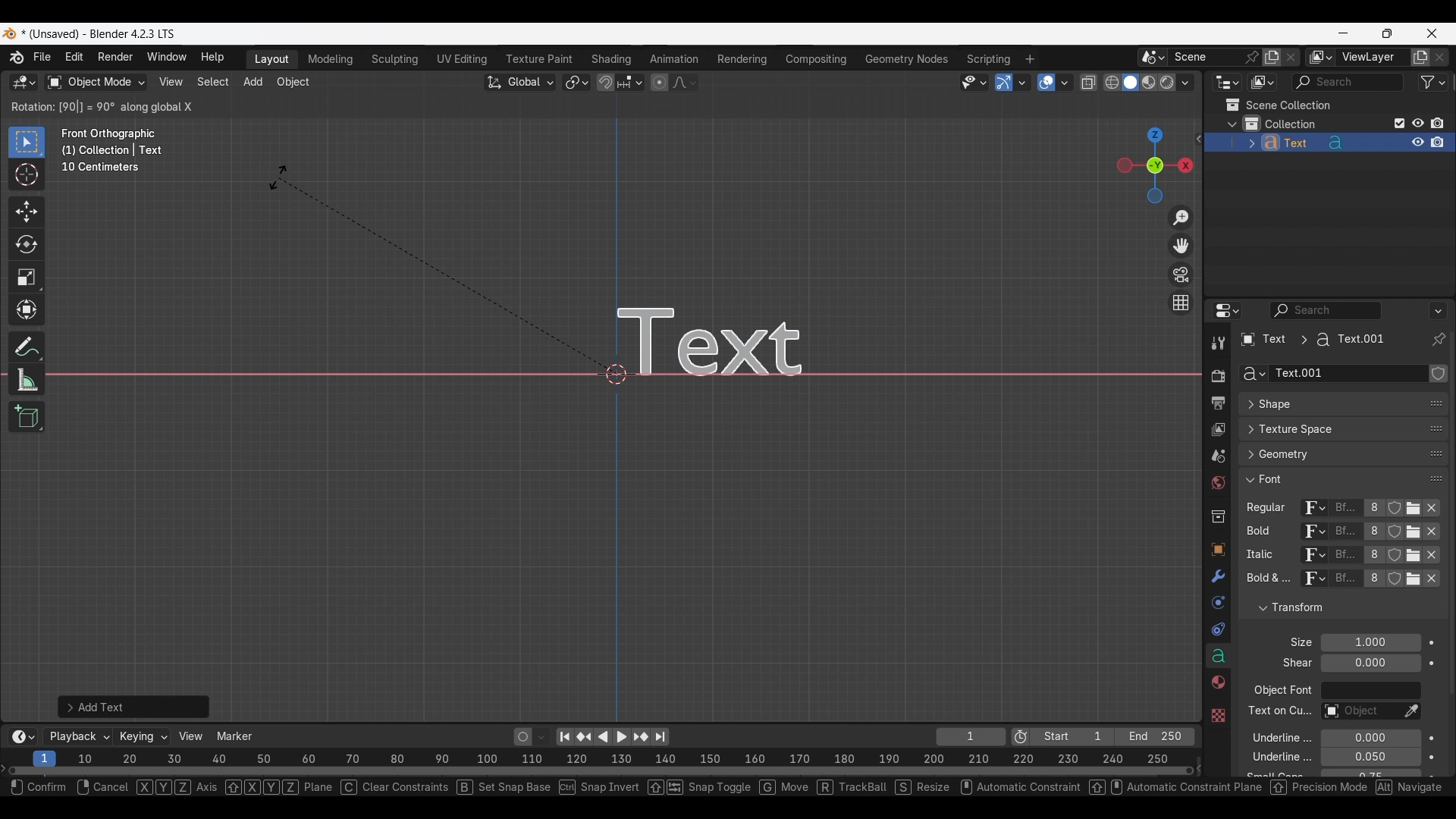 This screenshot has width=1456, height=819. Describe the element at coordinates (1437, 427) in the screenshot. I see `change position` at that location.